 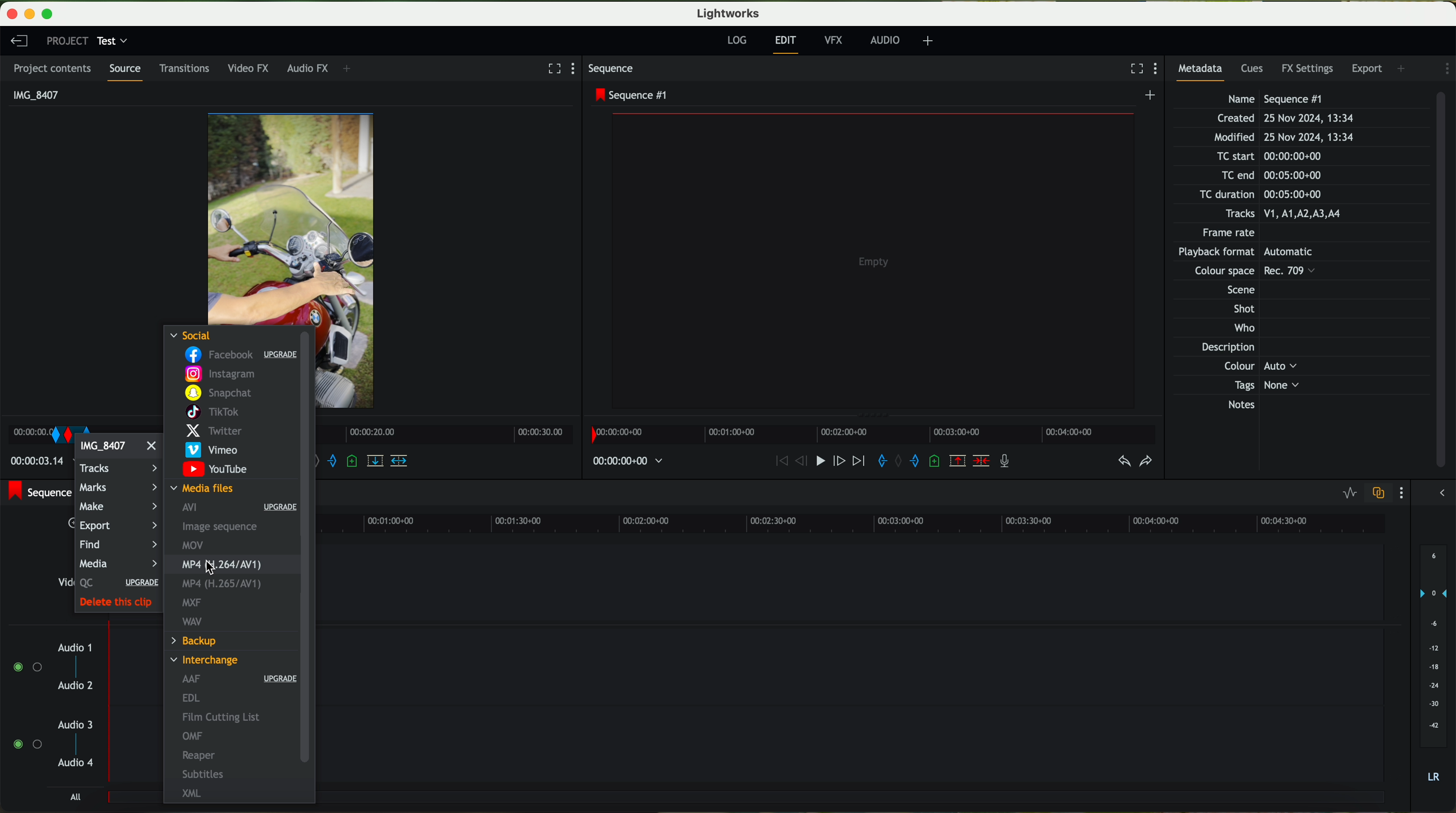 I want to click on enable audio tracks, so click(x=25, y=706).